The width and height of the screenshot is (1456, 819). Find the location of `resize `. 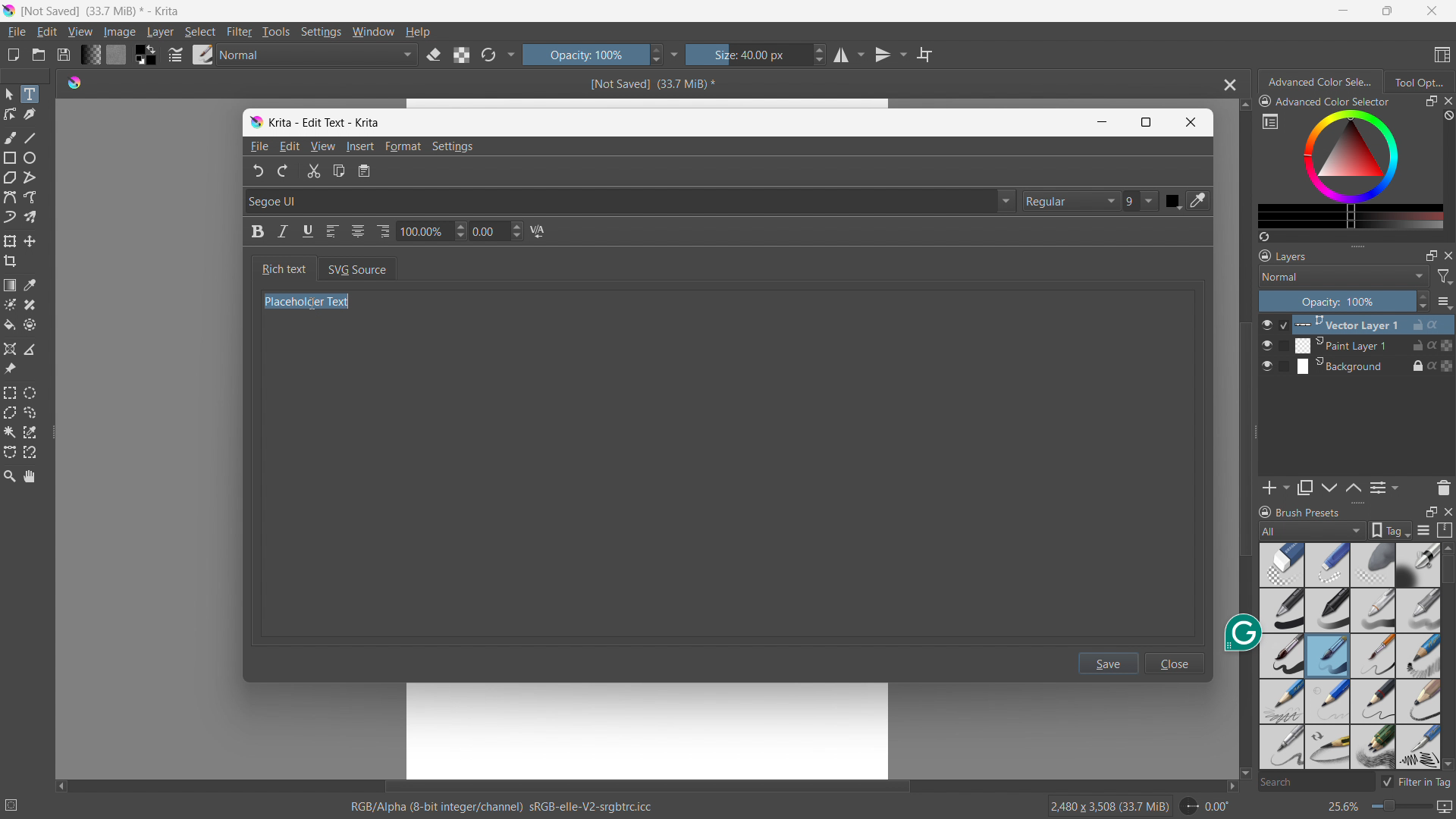

resize  is located at coordinates (1357, 504).